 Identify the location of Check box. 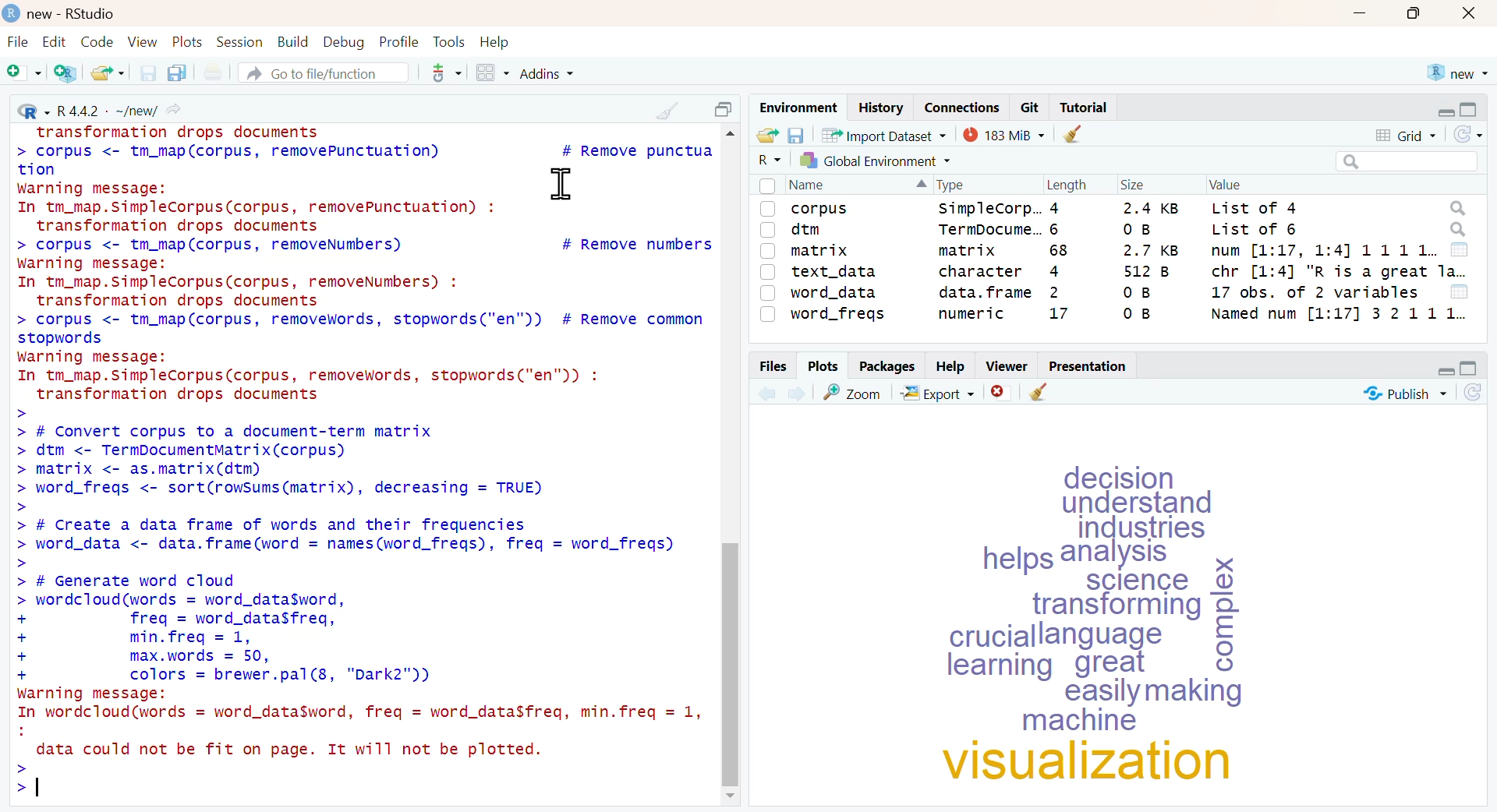
(769, 315).